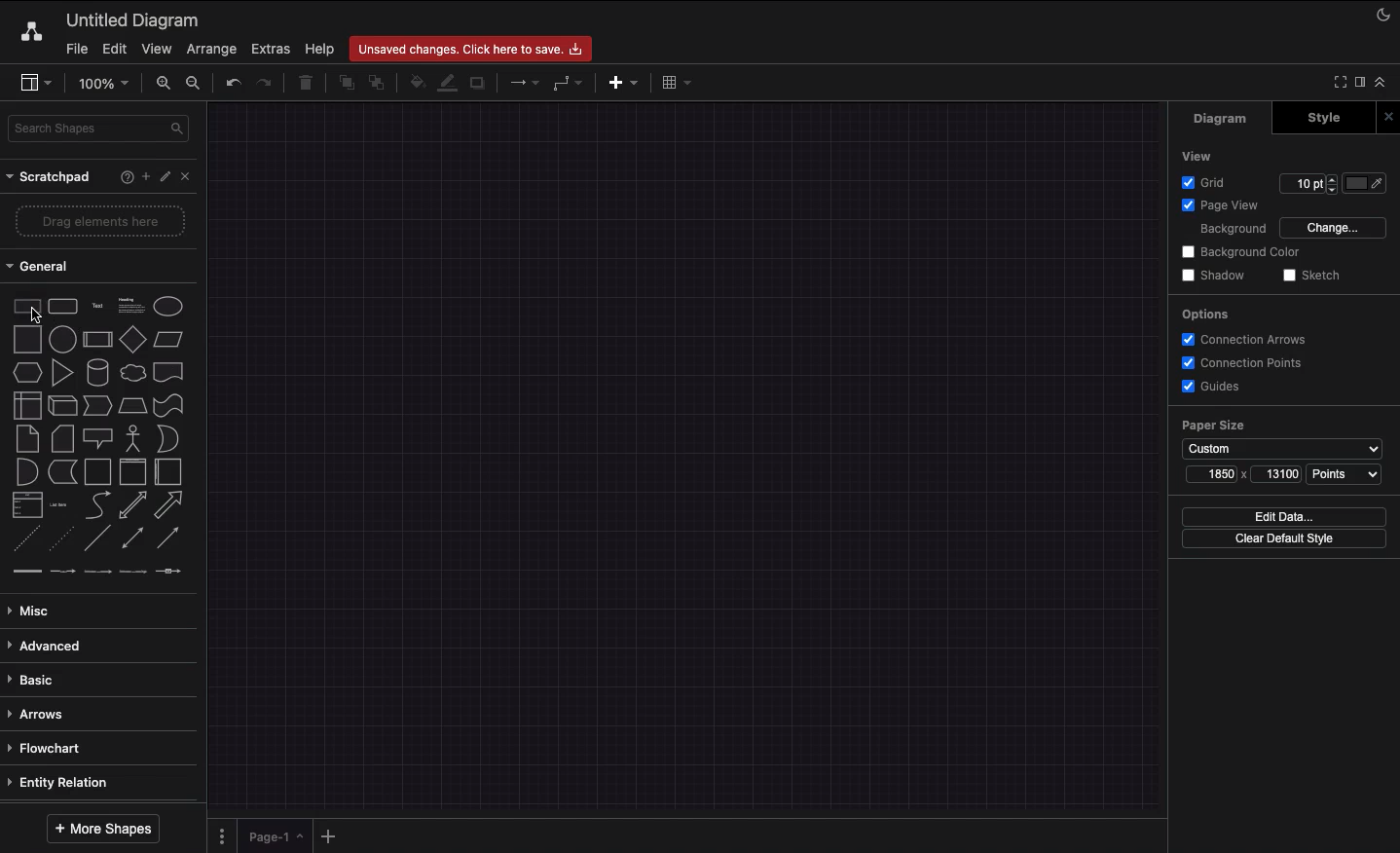  Describe the element at coordinates (1335, 229) in the screenshot. I see `Change` at that location.